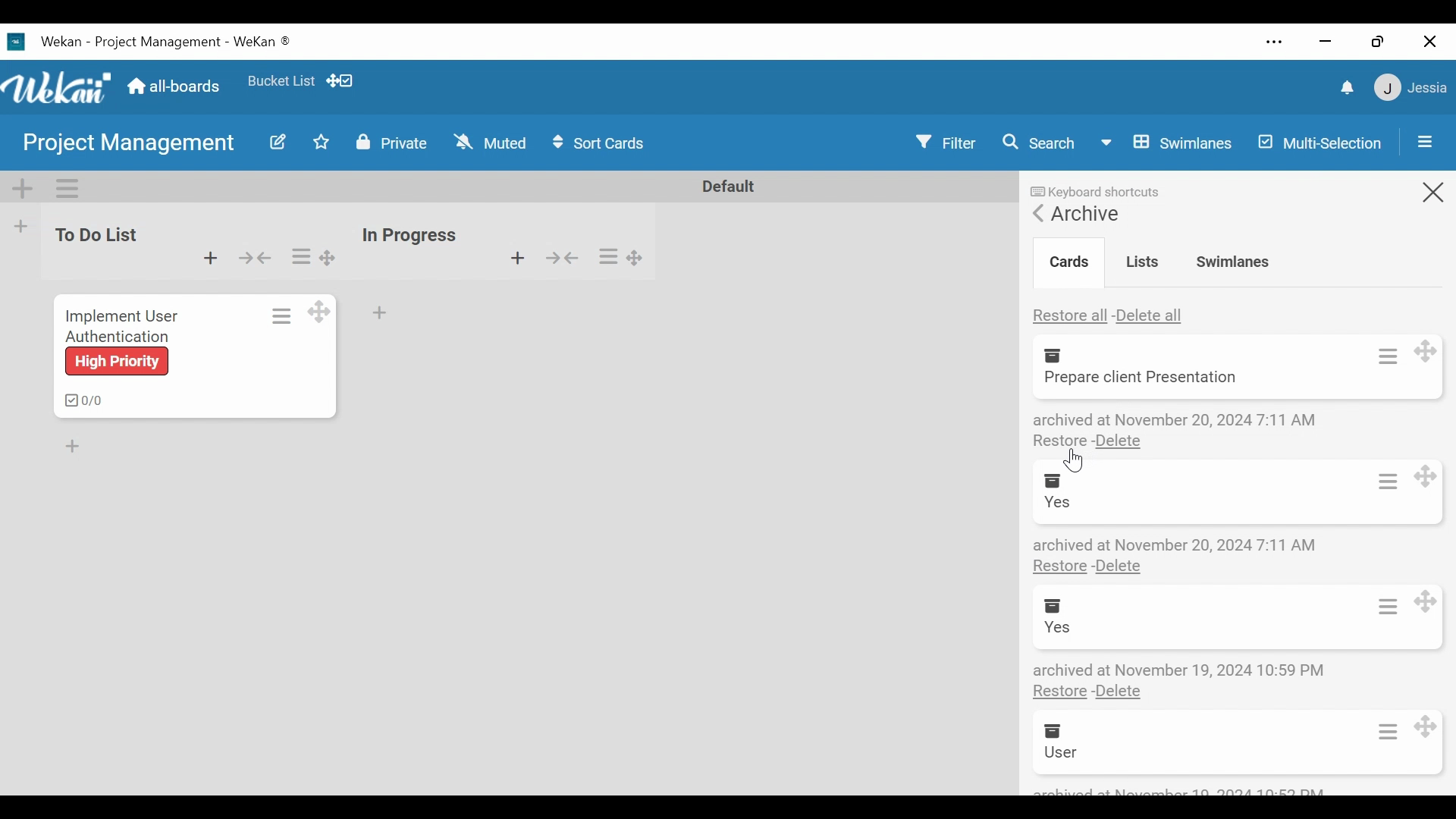  I want to click on Archive Box , so click(1058, 354).